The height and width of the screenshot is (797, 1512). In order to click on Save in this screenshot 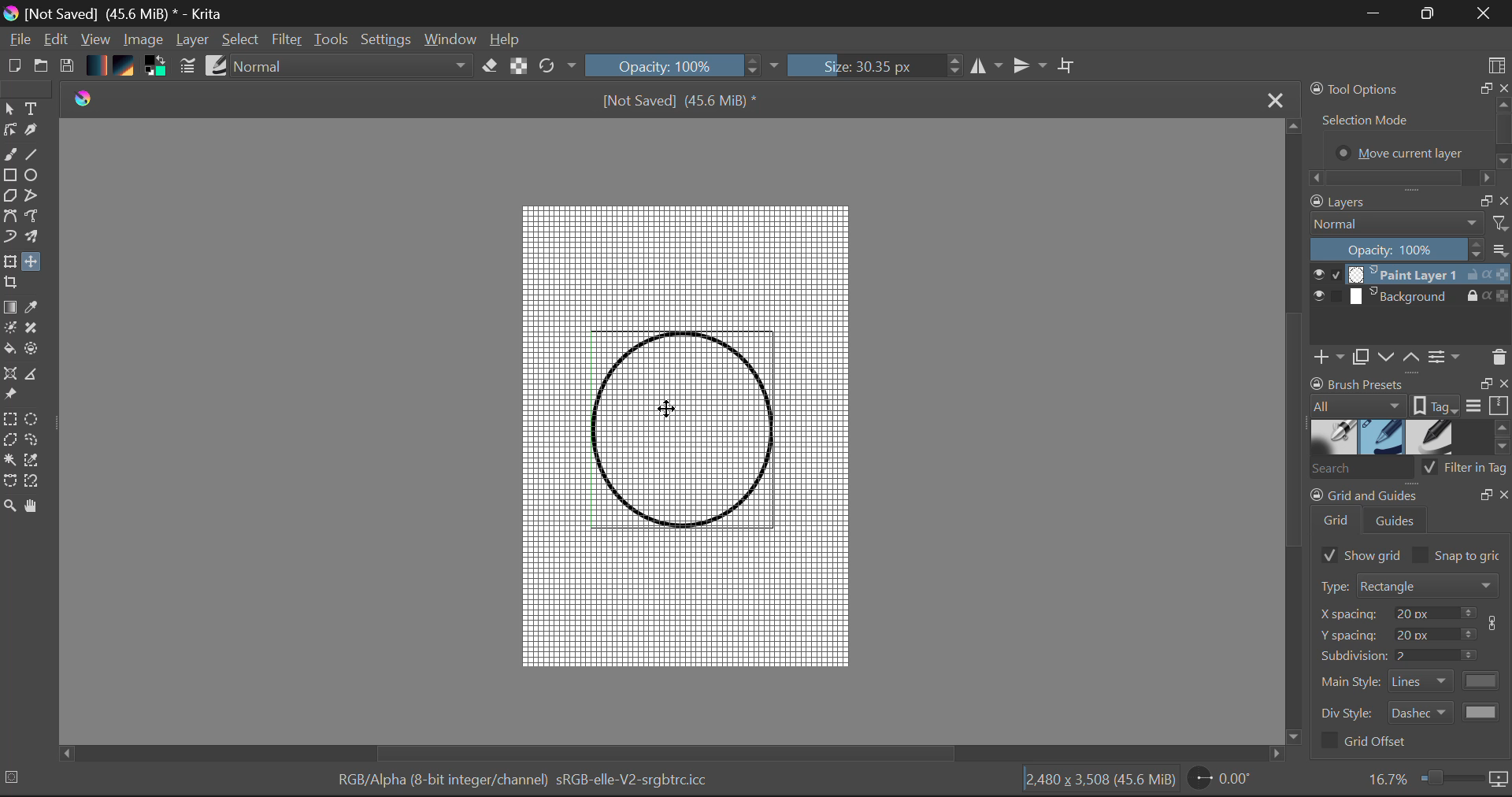, I will do `click(68, 67)`.